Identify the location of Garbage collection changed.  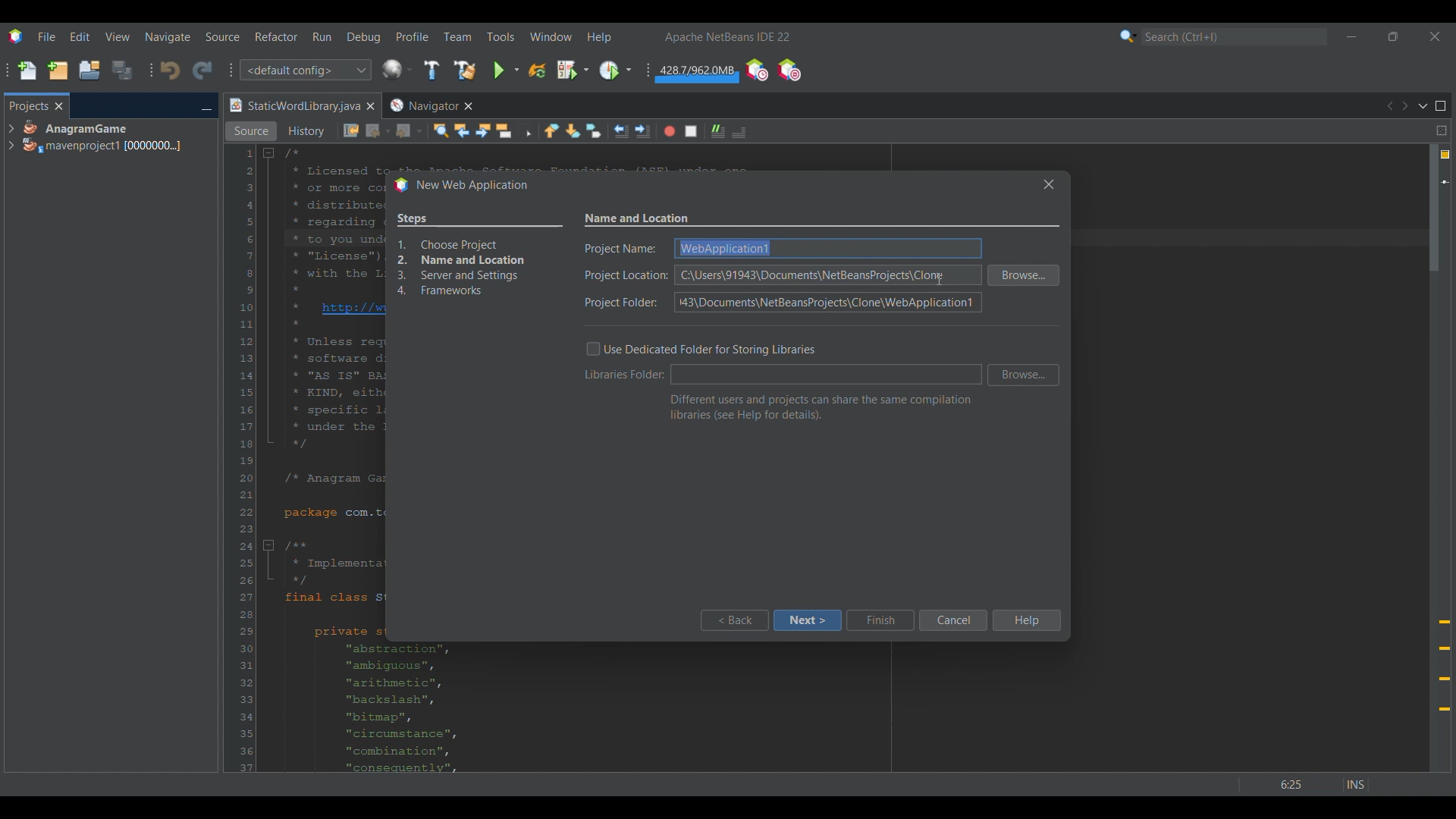
(697, 73).